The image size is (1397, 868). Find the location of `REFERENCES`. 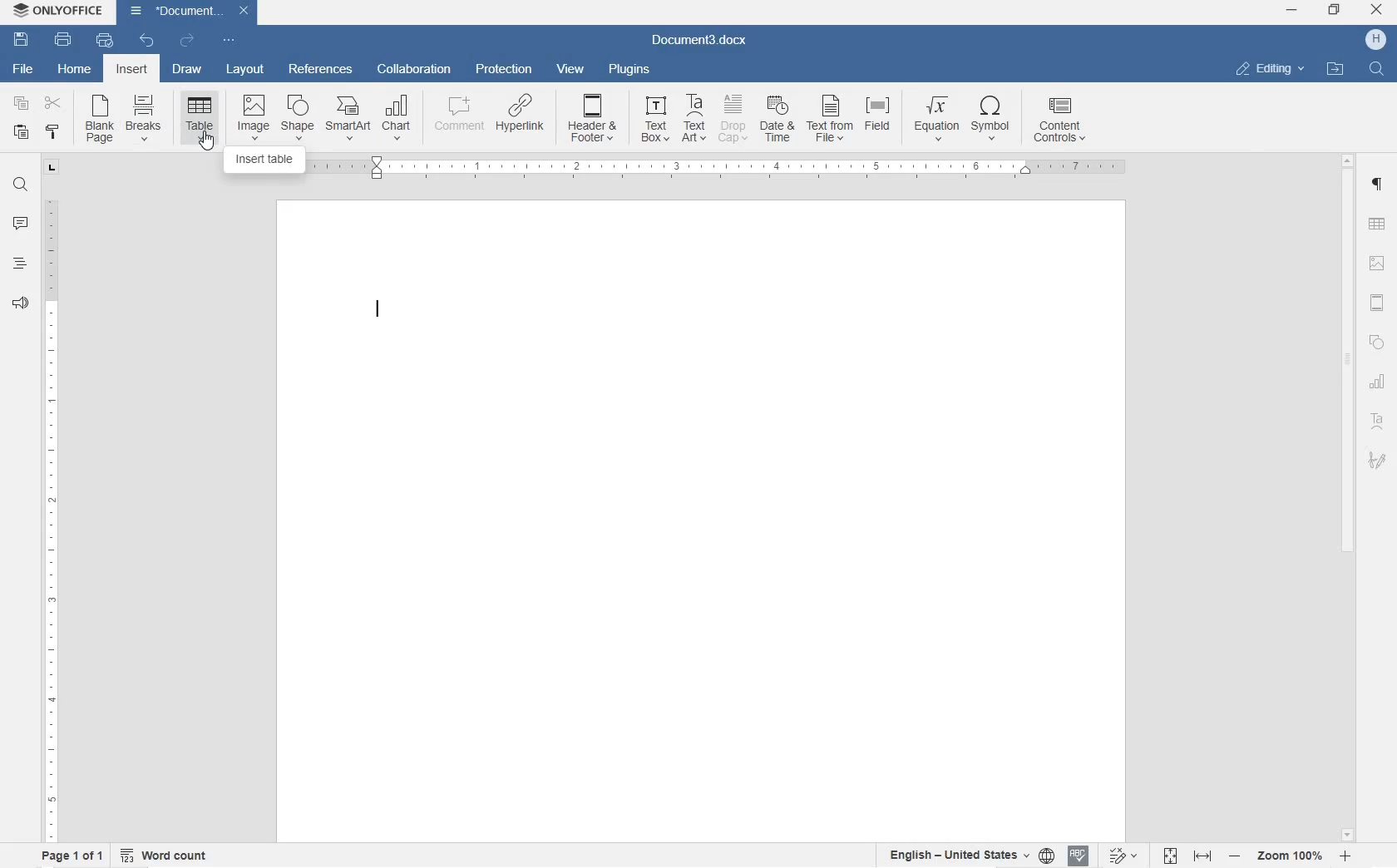

REFERENCES is located at coordinates (320, 71).